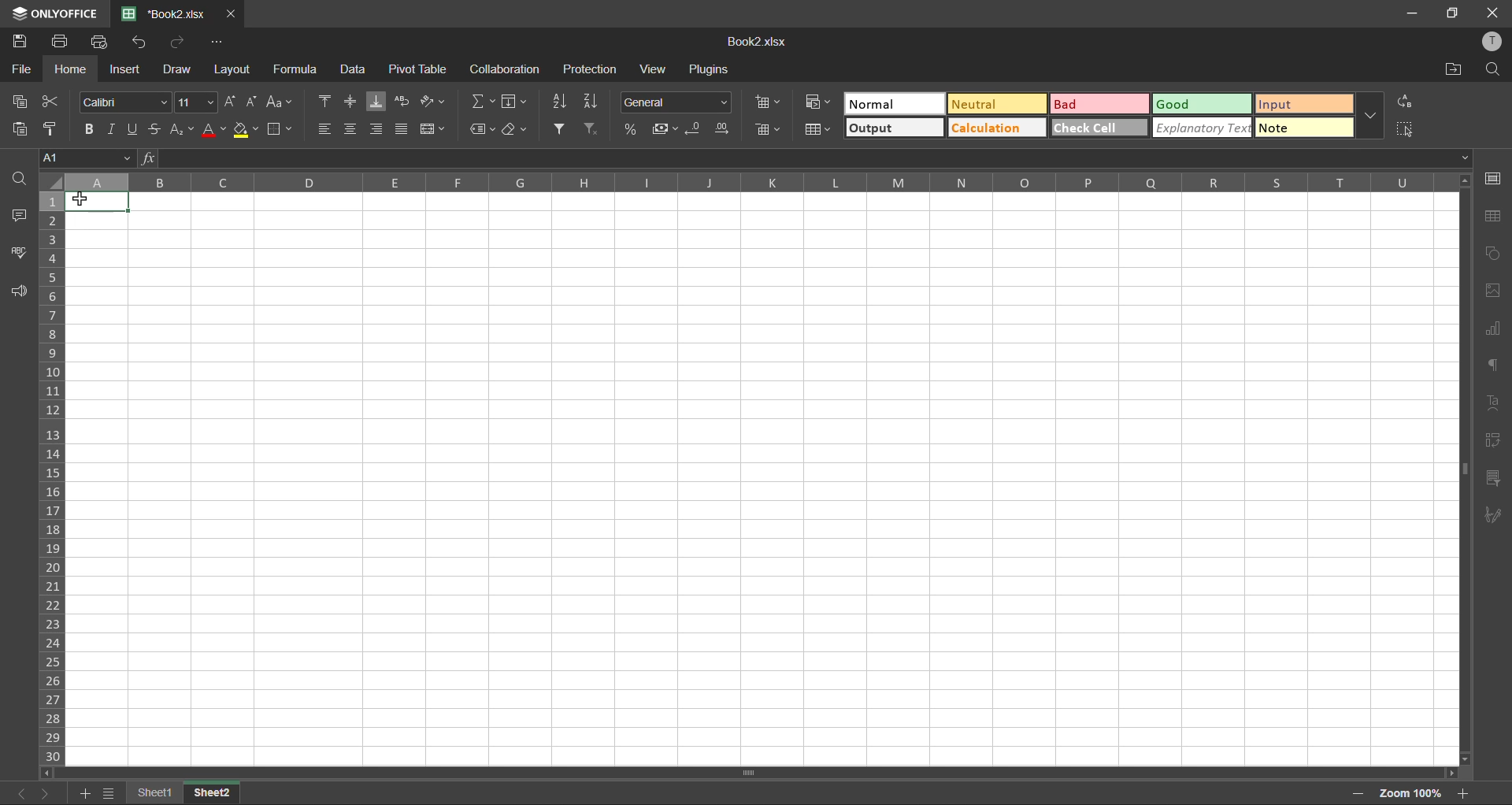  Describe the element at coordinates (505, 72) in the screenshot. I see `collaboration` at that location.